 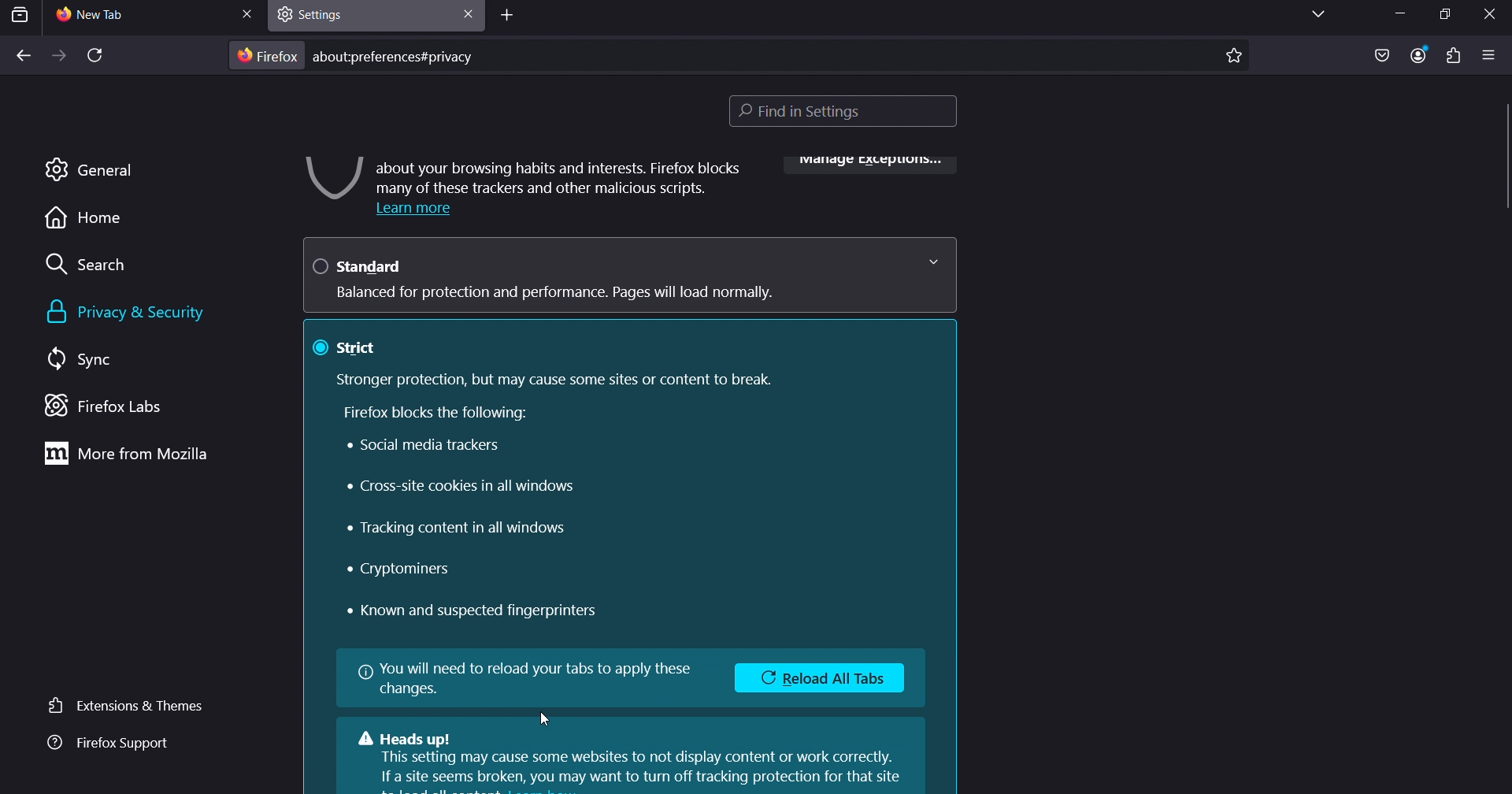 I want to click on privacy & security, so click(x=143, y=313).